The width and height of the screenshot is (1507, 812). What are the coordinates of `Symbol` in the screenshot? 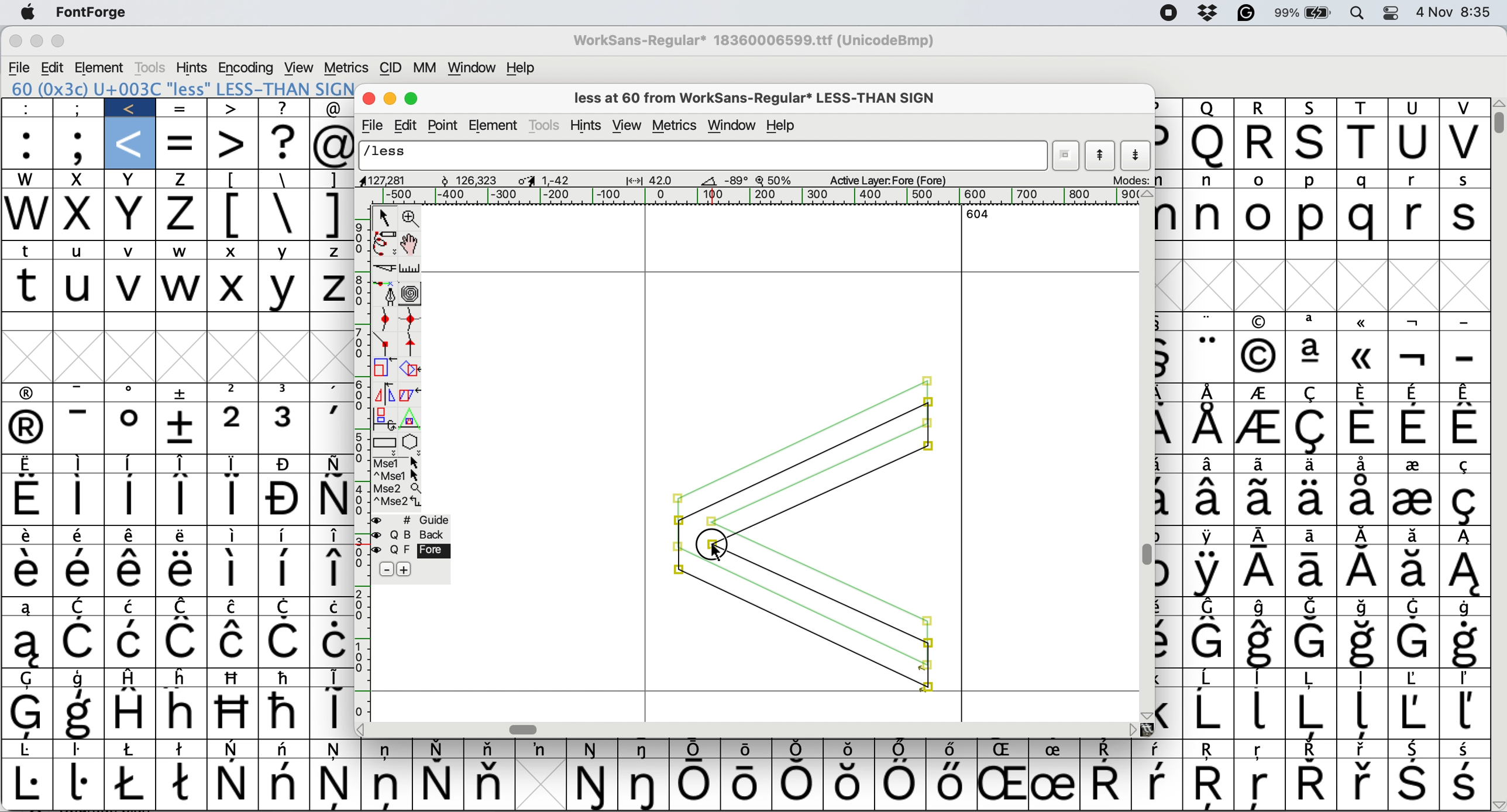 It's located at (387, 787).